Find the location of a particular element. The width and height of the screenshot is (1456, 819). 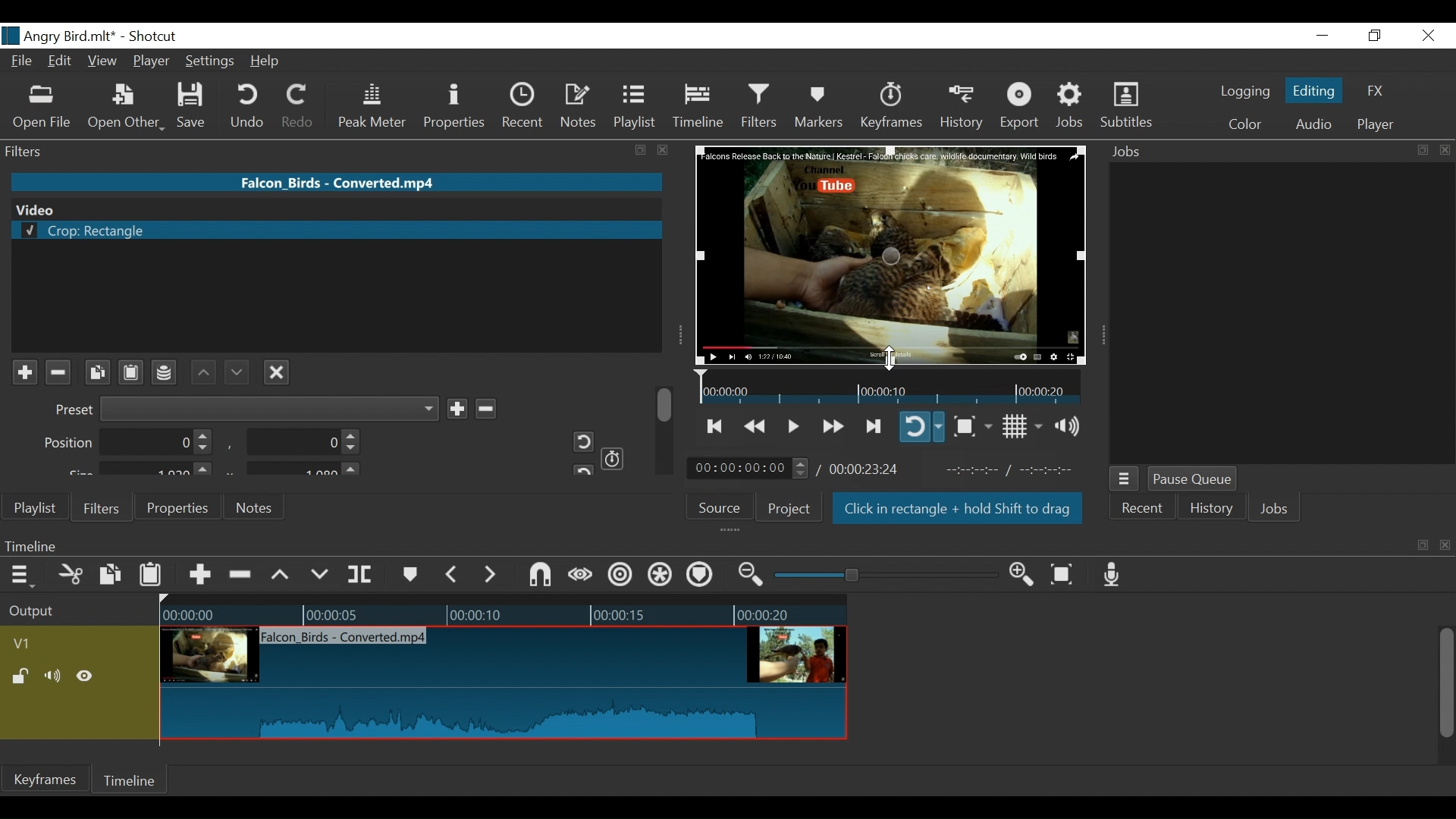

Ripple all tracks is located at coordinates (699, 576).